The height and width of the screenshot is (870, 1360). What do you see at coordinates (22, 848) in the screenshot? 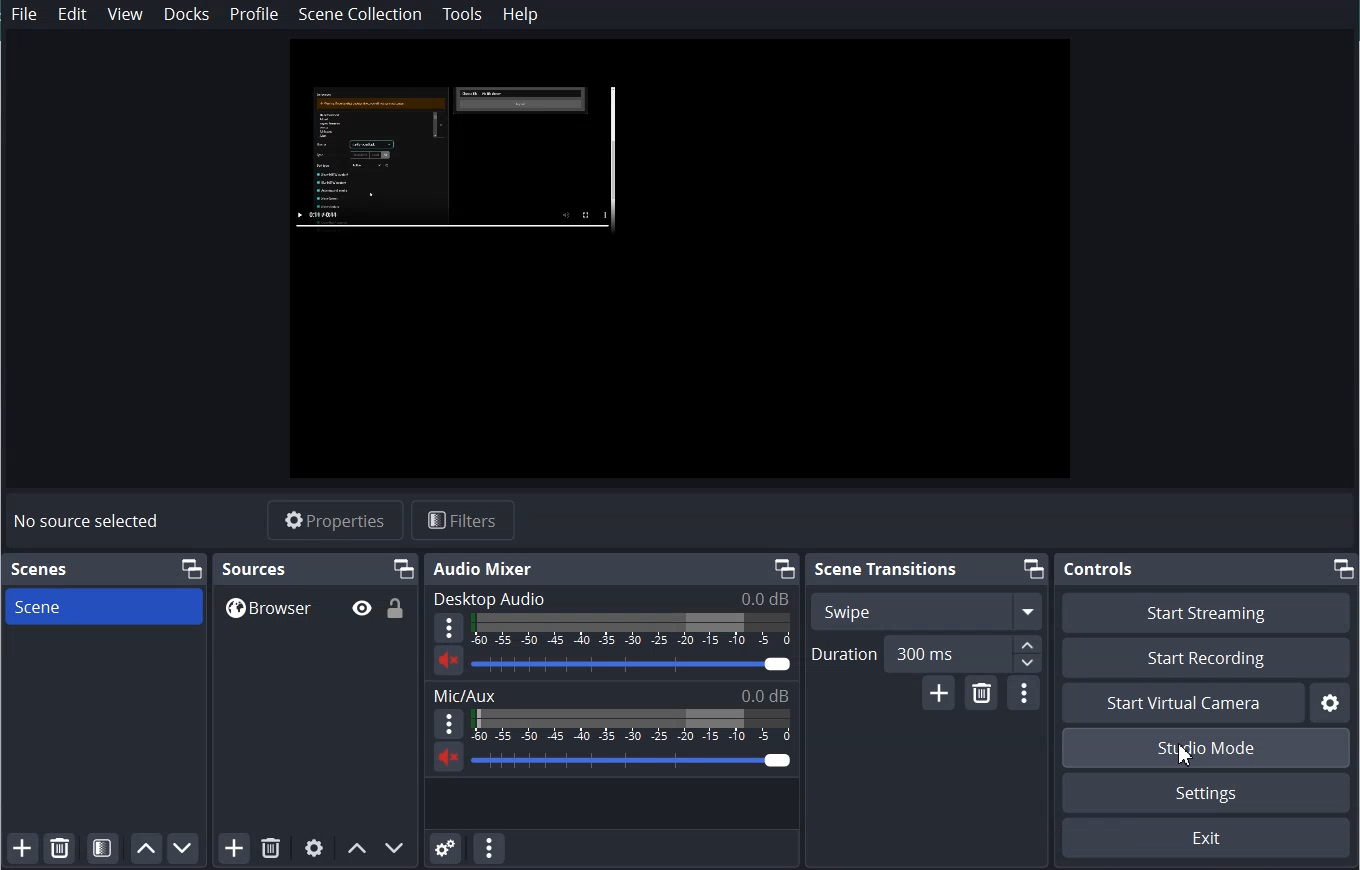
I see `Add Scene` at bounding box center [22, 848].